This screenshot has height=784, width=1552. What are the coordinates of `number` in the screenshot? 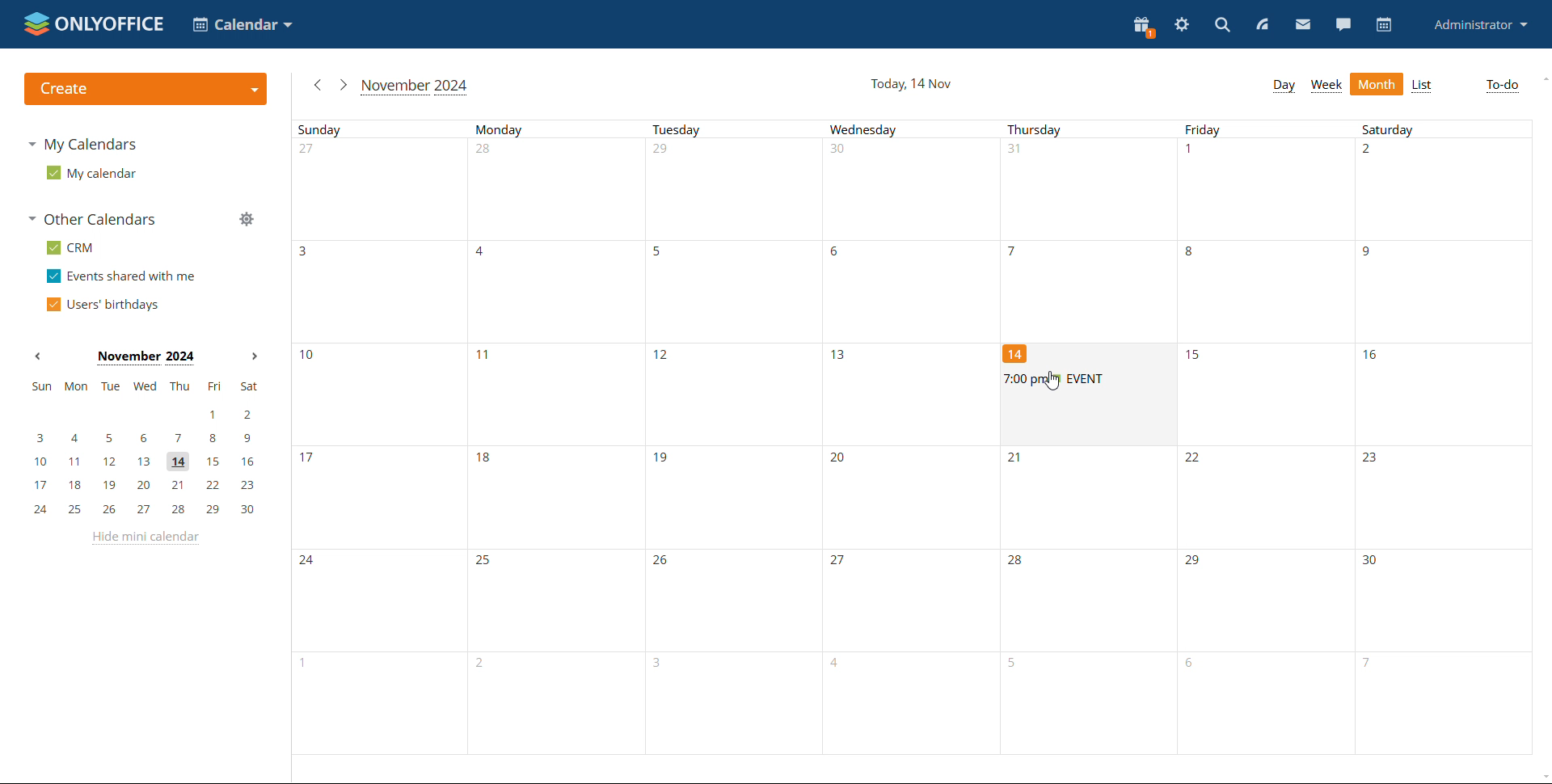 It's located at (1018, 353).